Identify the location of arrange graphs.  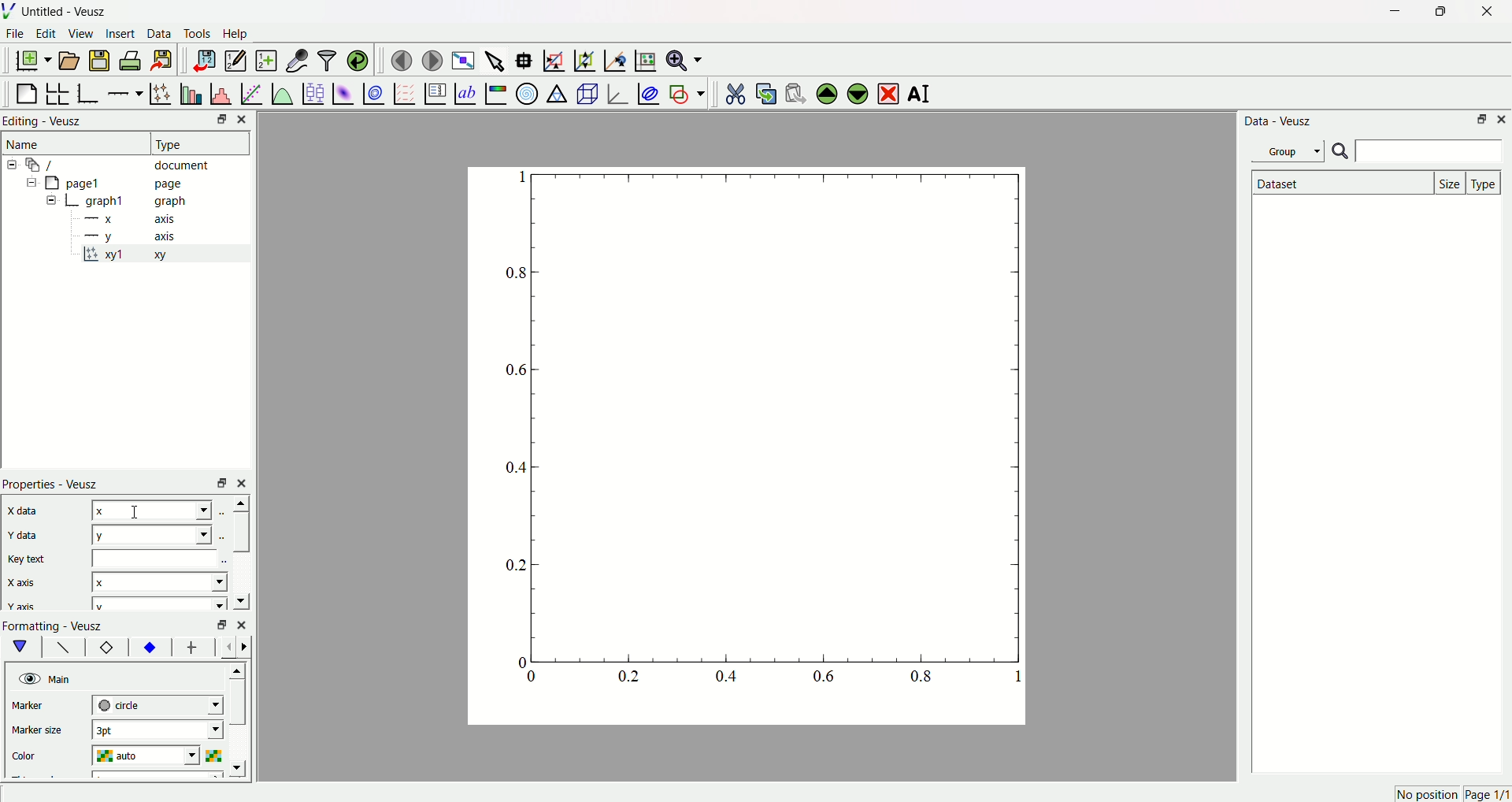
(60, 91).